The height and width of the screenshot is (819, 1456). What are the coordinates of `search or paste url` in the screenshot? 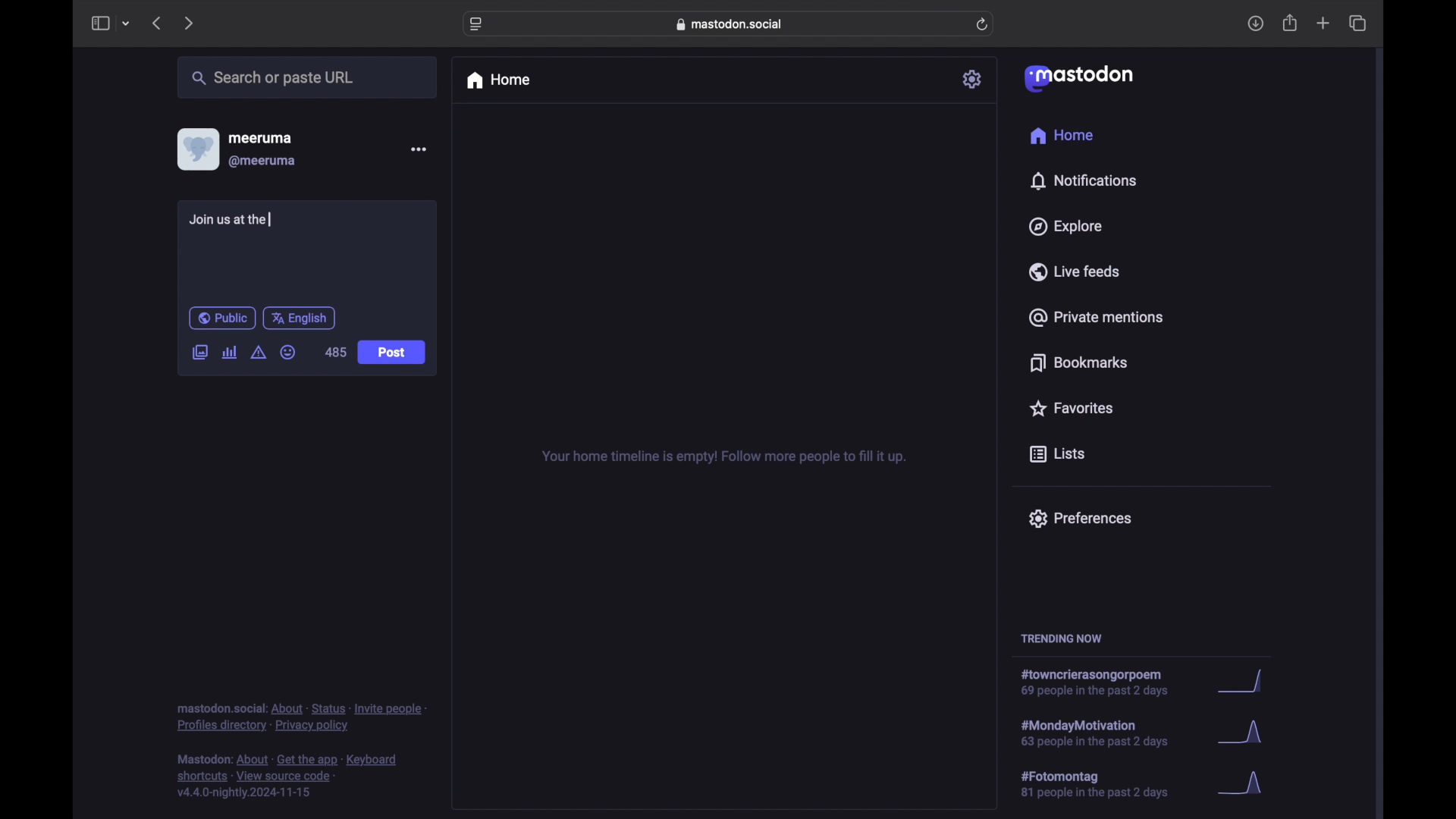 It's located at (272, 78).